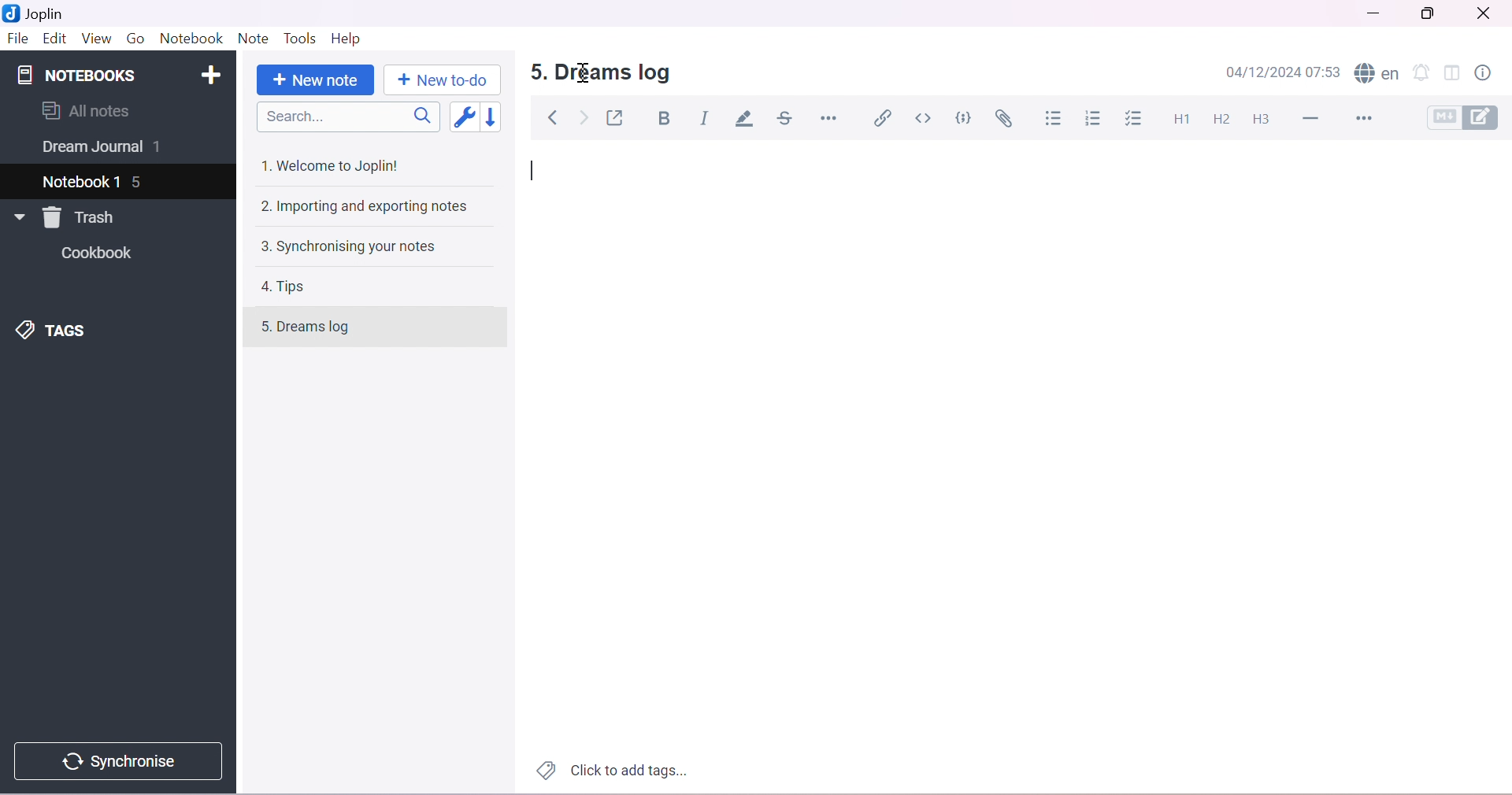  I want to click on Numbered list, so click(1094, 120).